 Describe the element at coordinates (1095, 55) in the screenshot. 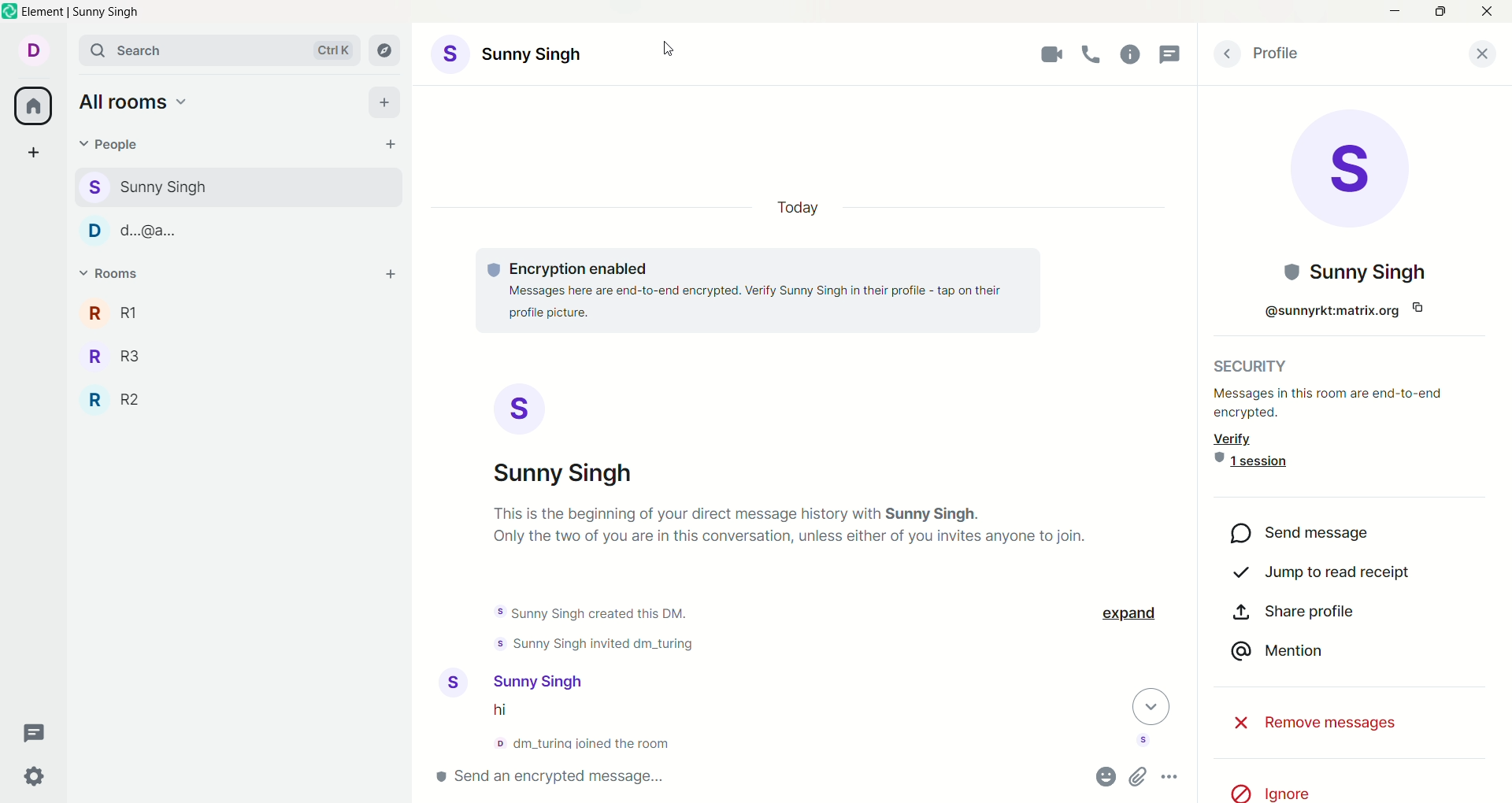

I see `Call` at that location.